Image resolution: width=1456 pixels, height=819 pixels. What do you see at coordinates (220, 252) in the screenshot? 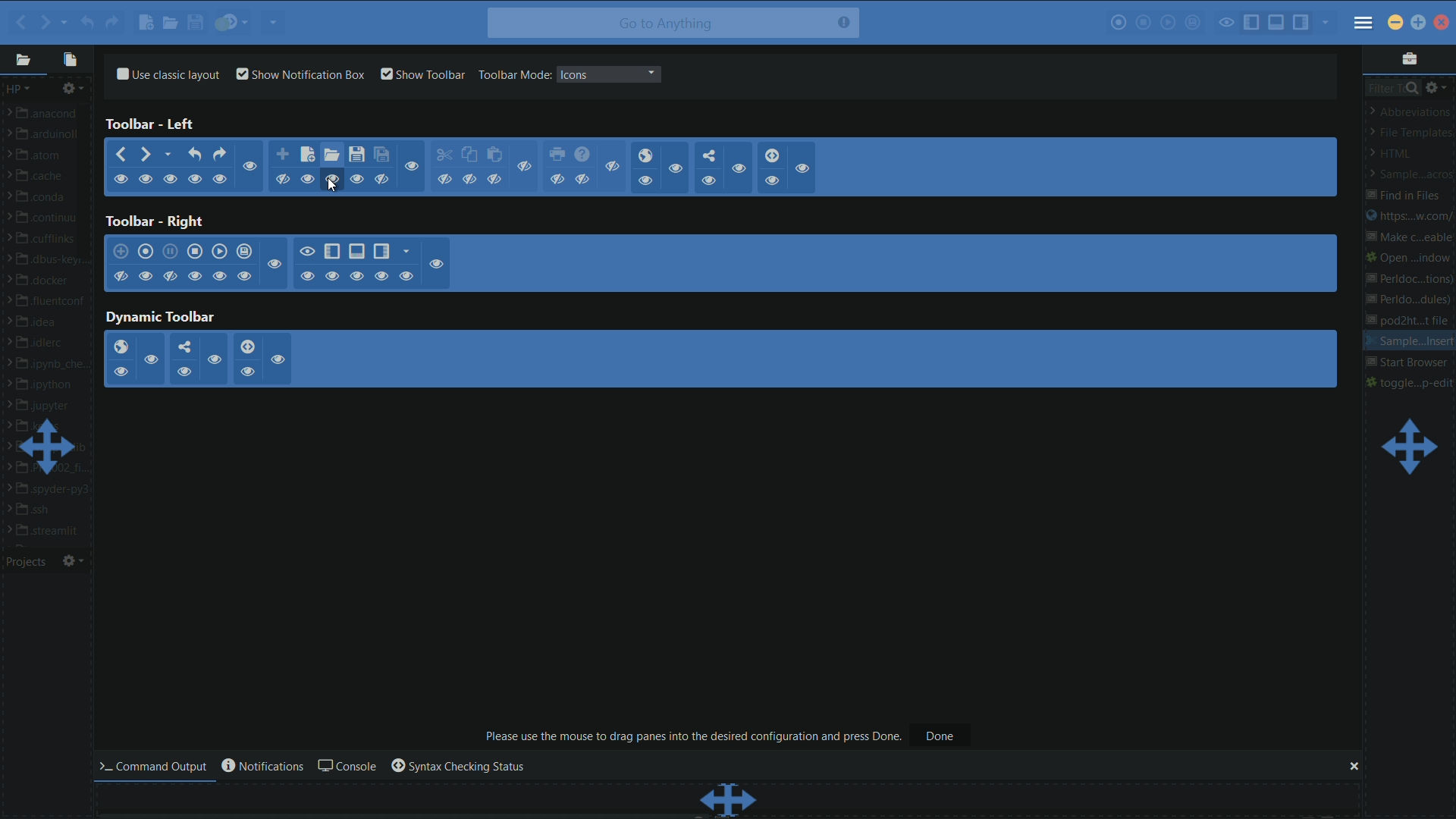
I see `play last macro` at bounding box center [220, 252].